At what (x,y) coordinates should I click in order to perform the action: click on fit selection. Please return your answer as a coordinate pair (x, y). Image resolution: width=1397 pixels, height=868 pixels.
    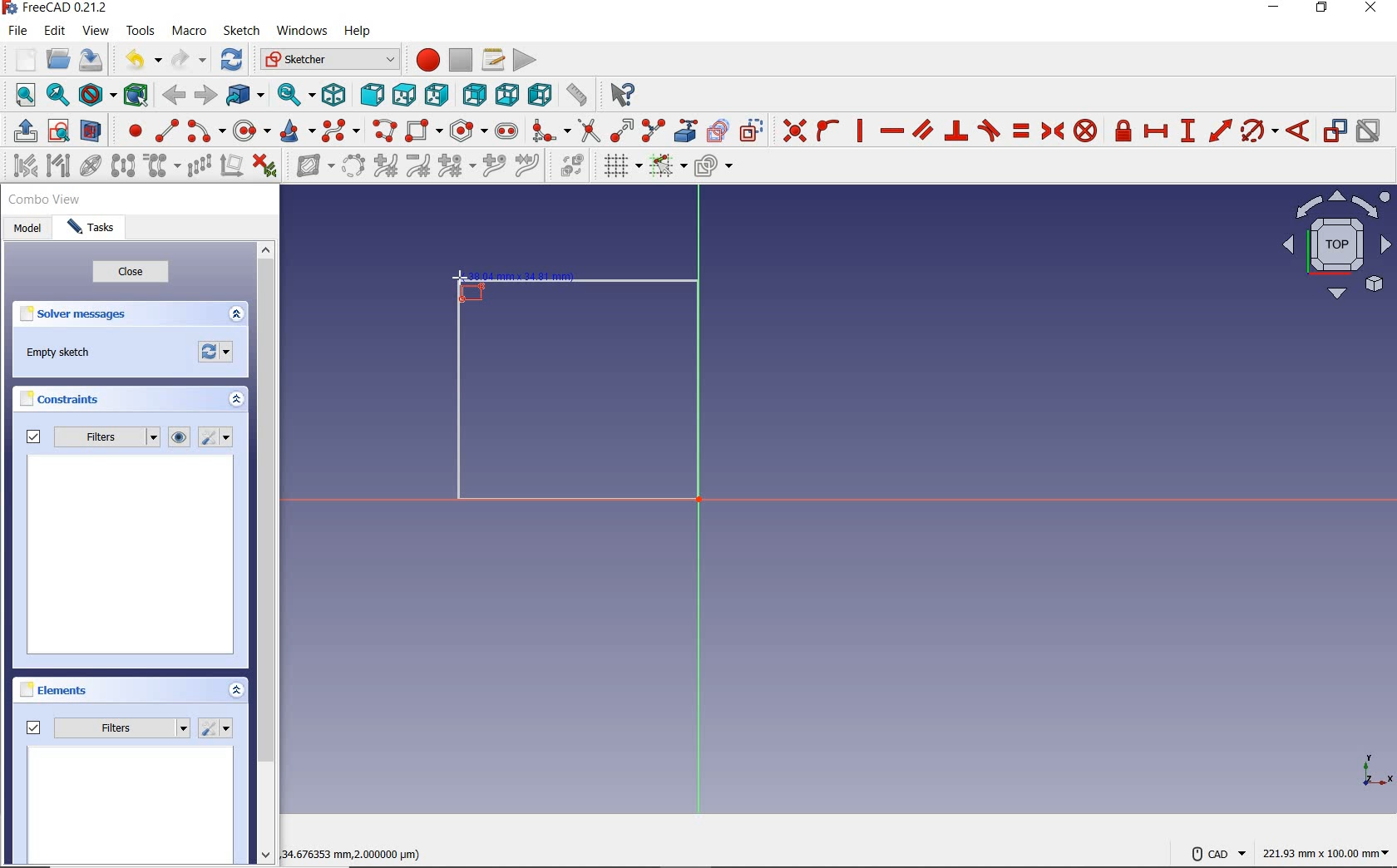
    Looking at the image, I should click on (58, 96).